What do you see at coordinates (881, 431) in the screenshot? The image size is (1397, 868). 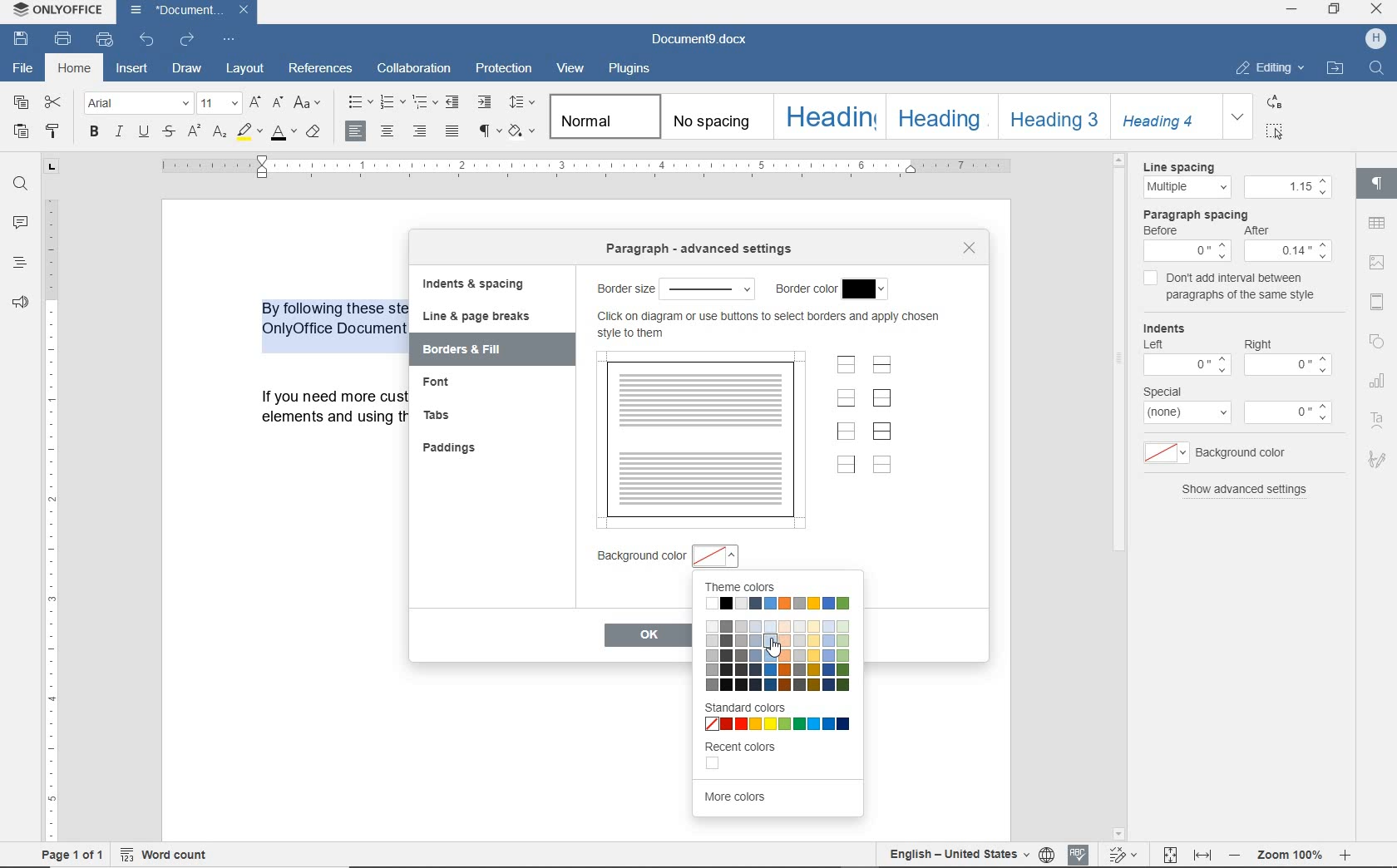 I see `set outer border and inner lines` at bounding box center [881, 431].